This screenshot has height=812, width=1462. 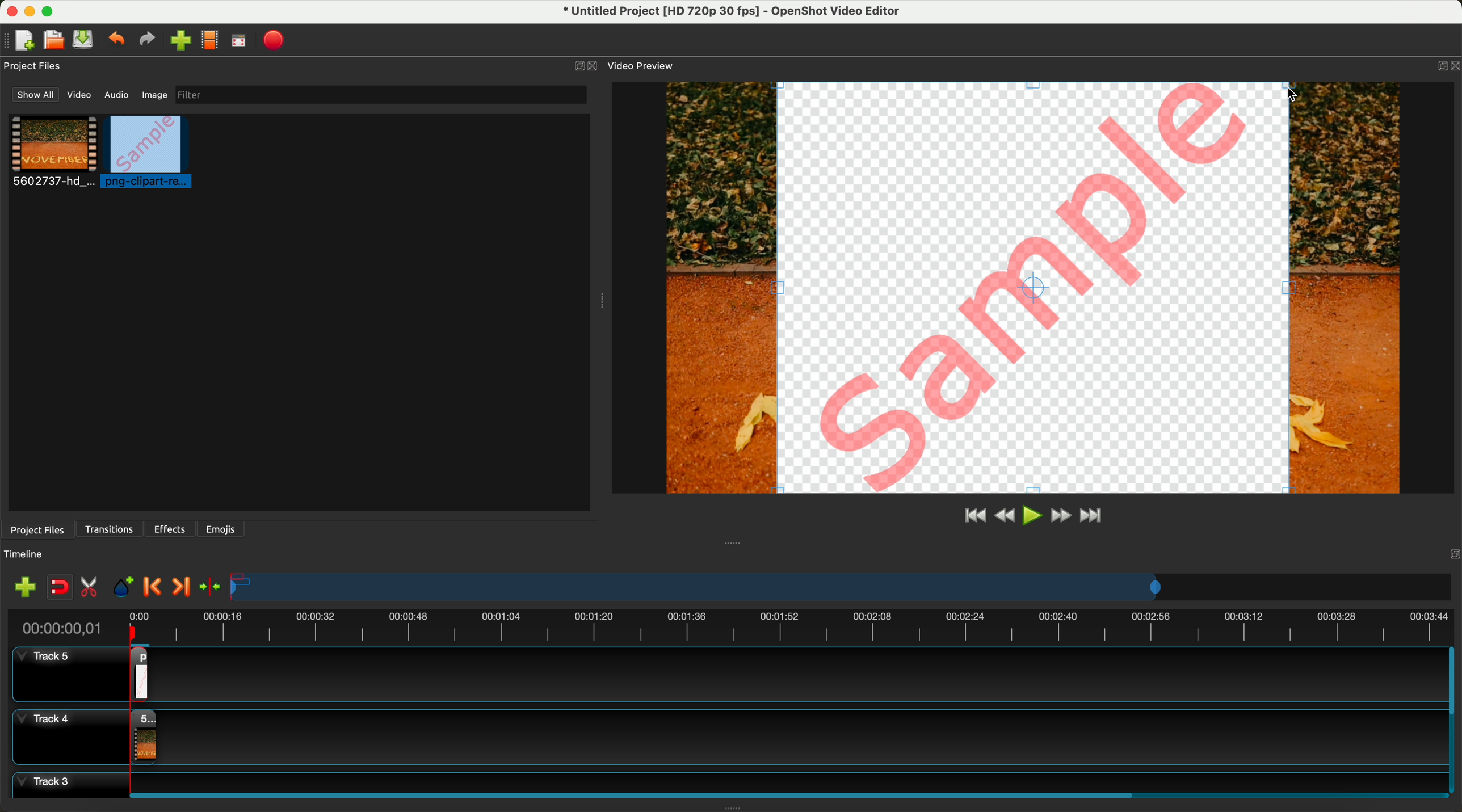 I want to click on click on import files, so click(x=183, y=41).